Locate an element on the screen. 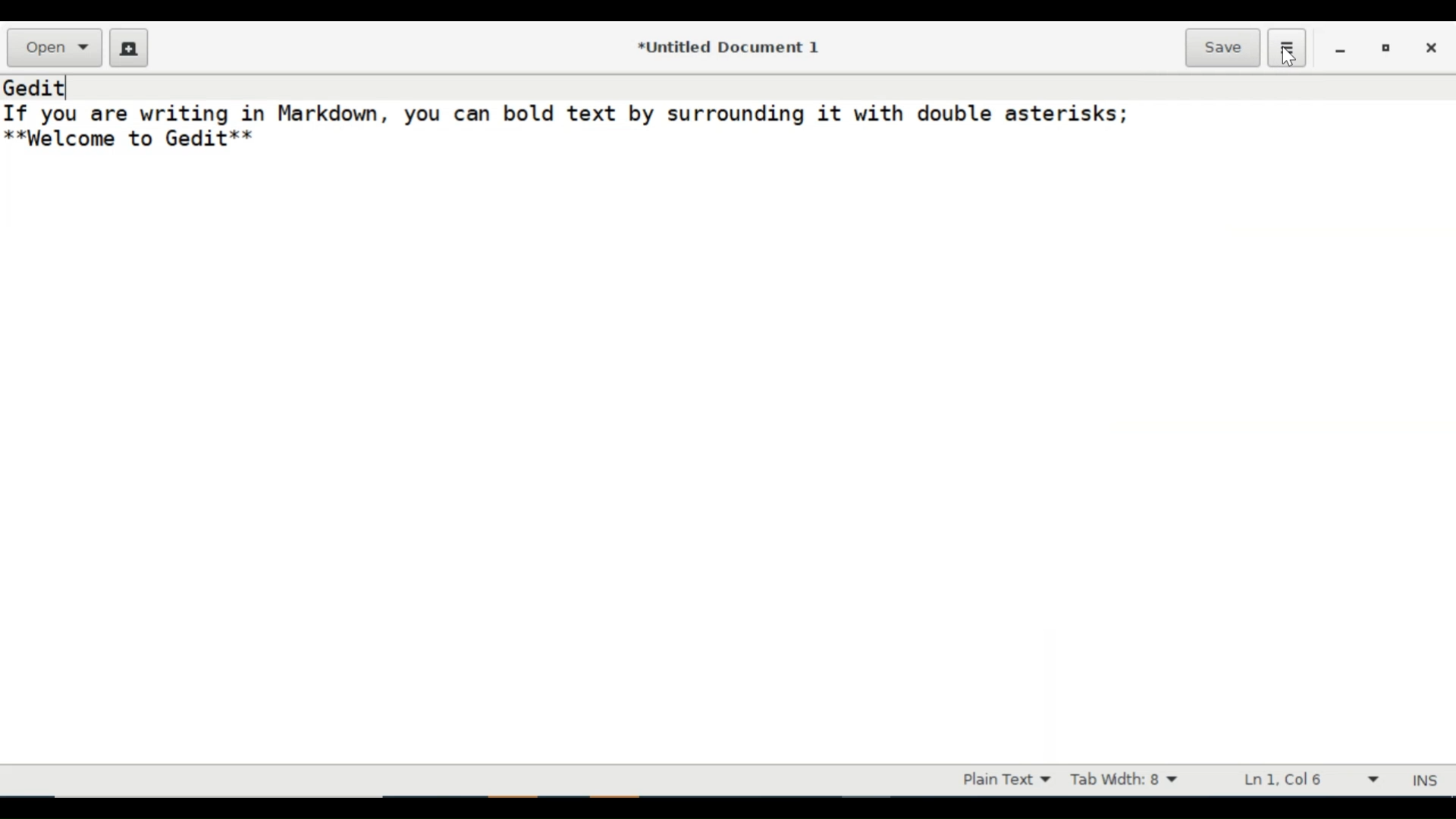 This screenshot has width=1456, height=819. Application menu is located at coordinates (1285, 47).